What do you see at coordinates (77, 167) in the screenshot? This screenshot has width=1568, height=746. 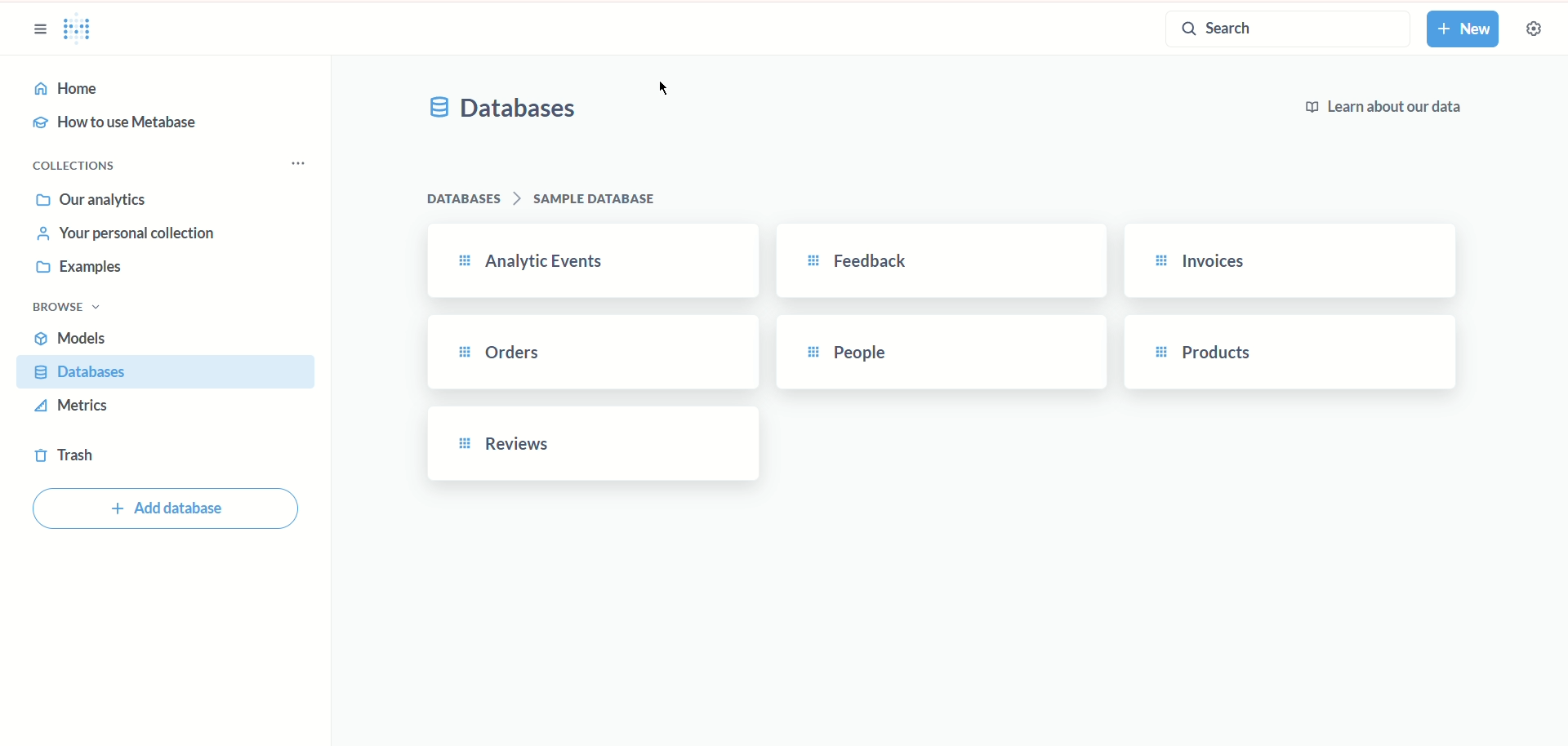 I see `collections` at bounding box center [77, 167].